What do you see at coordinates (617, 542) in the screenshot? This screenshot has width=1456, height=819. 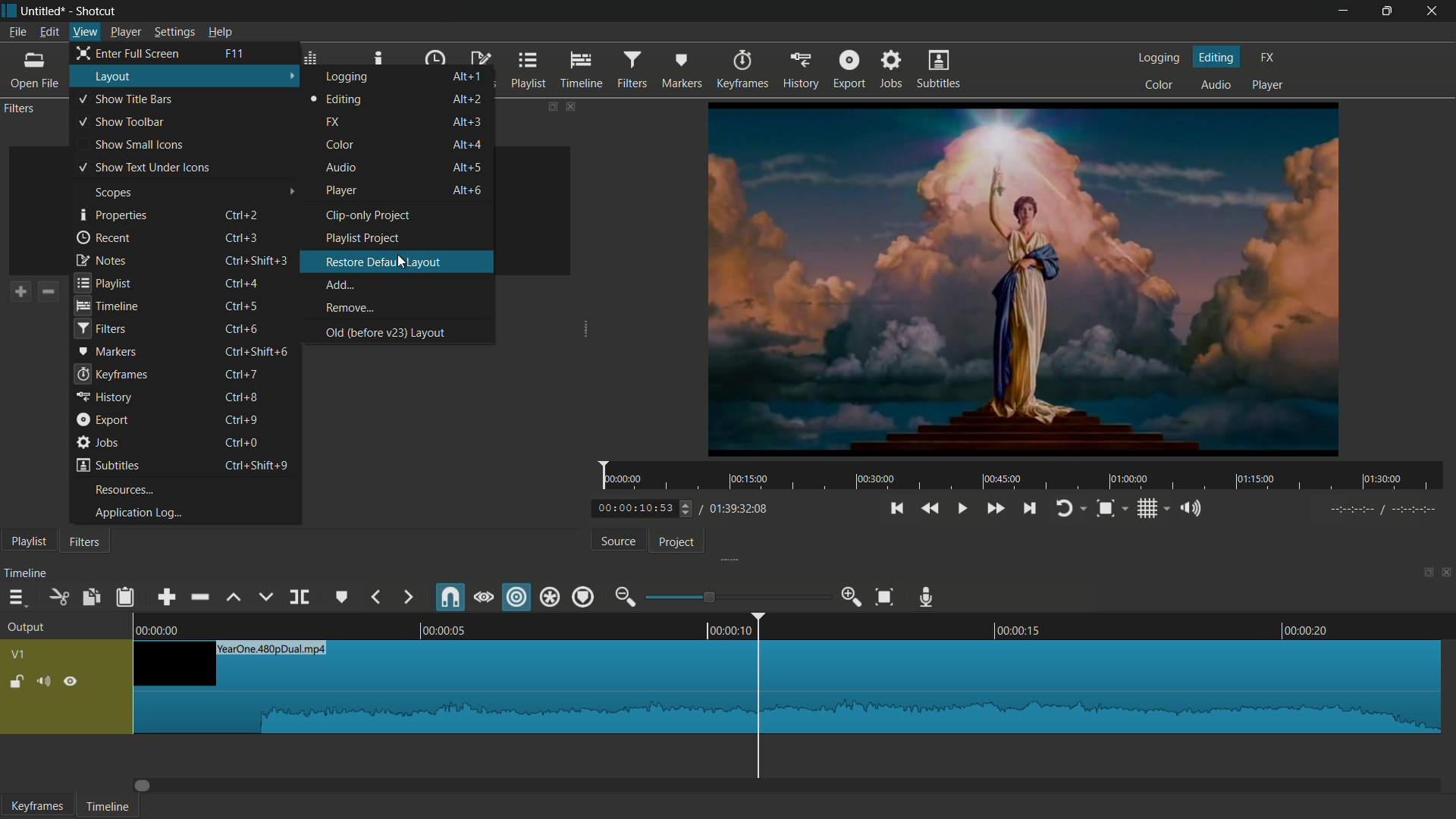 I see `source` at bounding box center [617, 542].